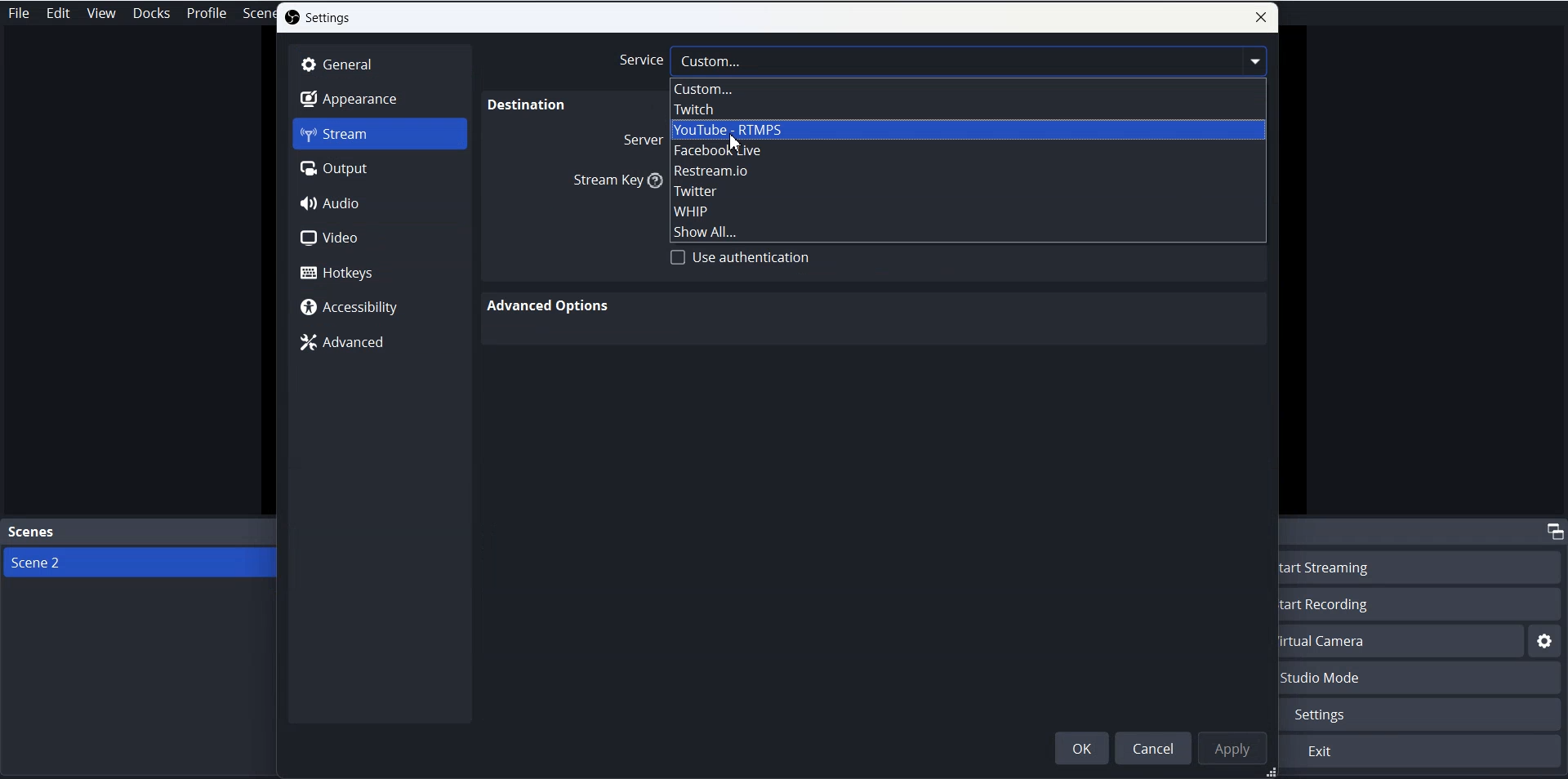  What do you see at coordinates (1423, 679) in the screenshot?
I see `Studio Mode` at bounding box center [1423, 679].